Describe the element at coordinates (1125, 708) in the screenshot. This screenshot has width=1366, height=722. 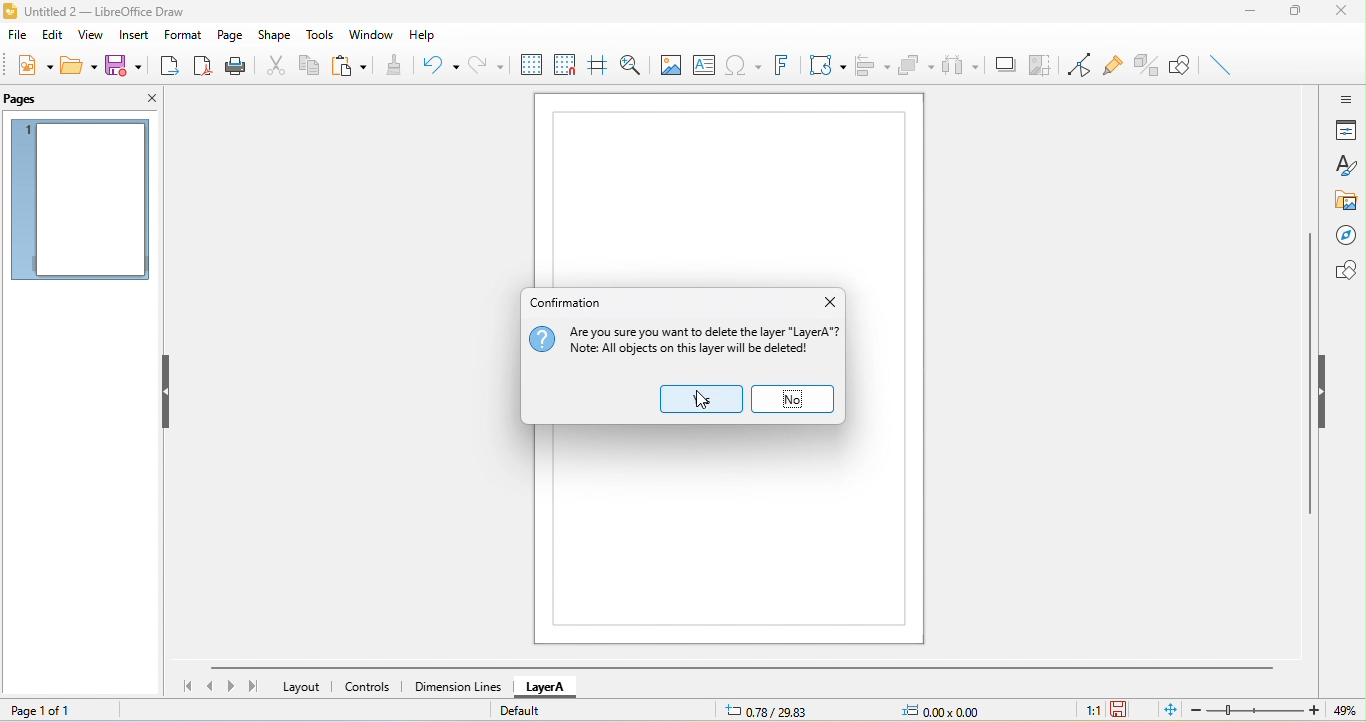
I see `the document has not been modified since the last save` at that location.